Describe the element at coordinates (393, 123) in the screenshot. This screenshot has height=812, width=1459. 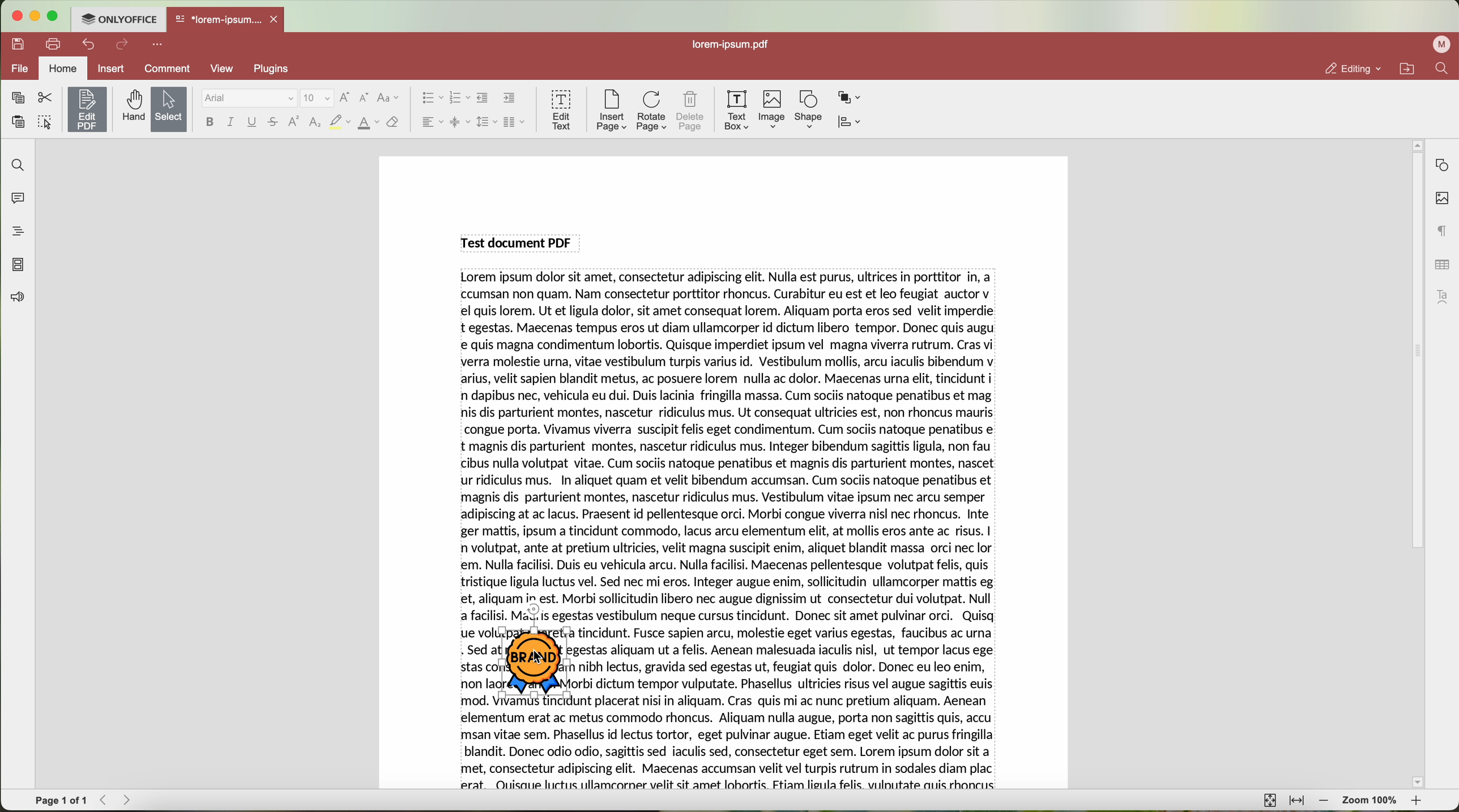
I see `clear style` at that location.